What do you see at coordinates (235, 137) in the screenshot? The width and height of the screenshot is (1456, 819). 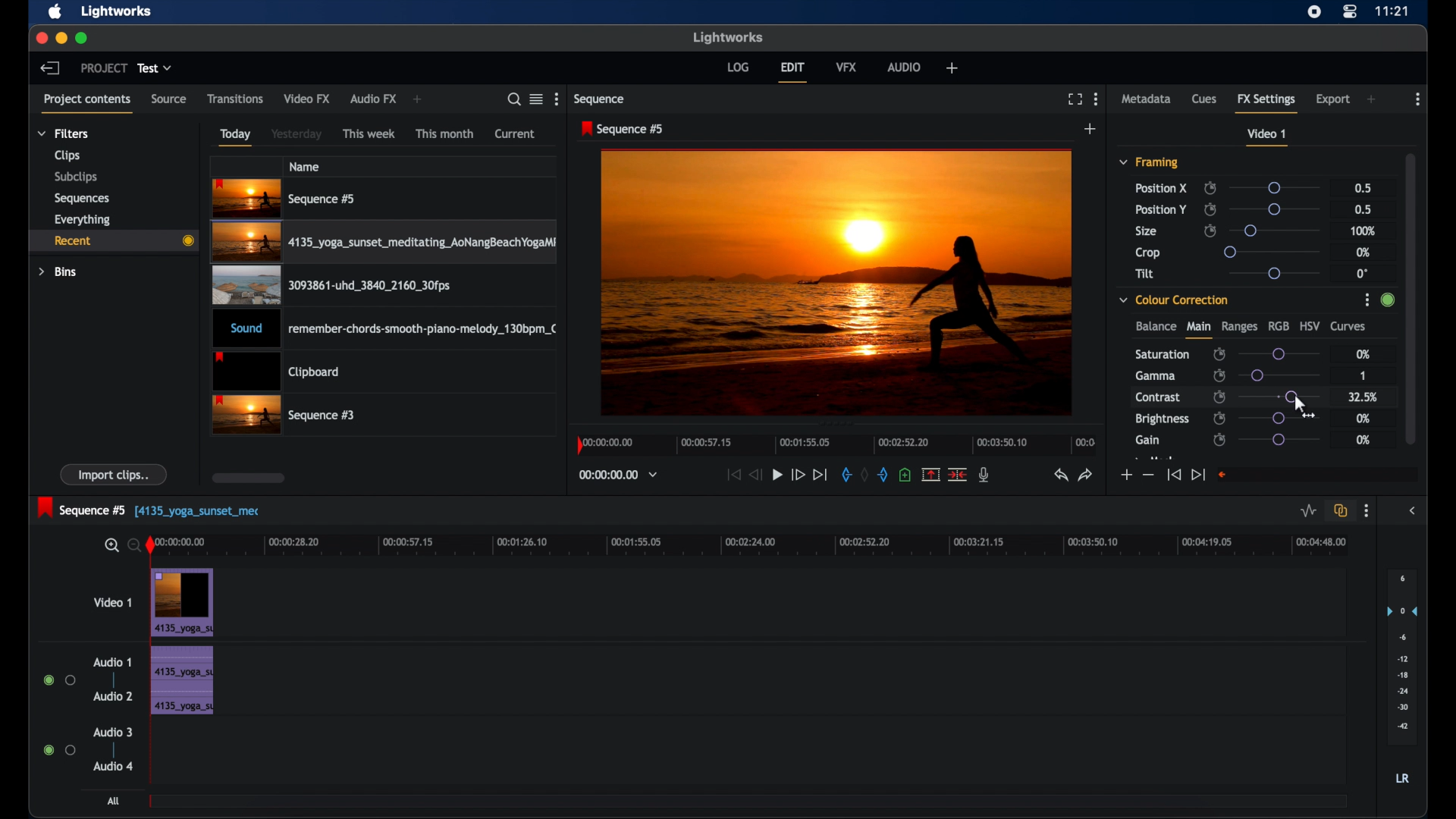 I see `today` at bounding box center [235, 137].